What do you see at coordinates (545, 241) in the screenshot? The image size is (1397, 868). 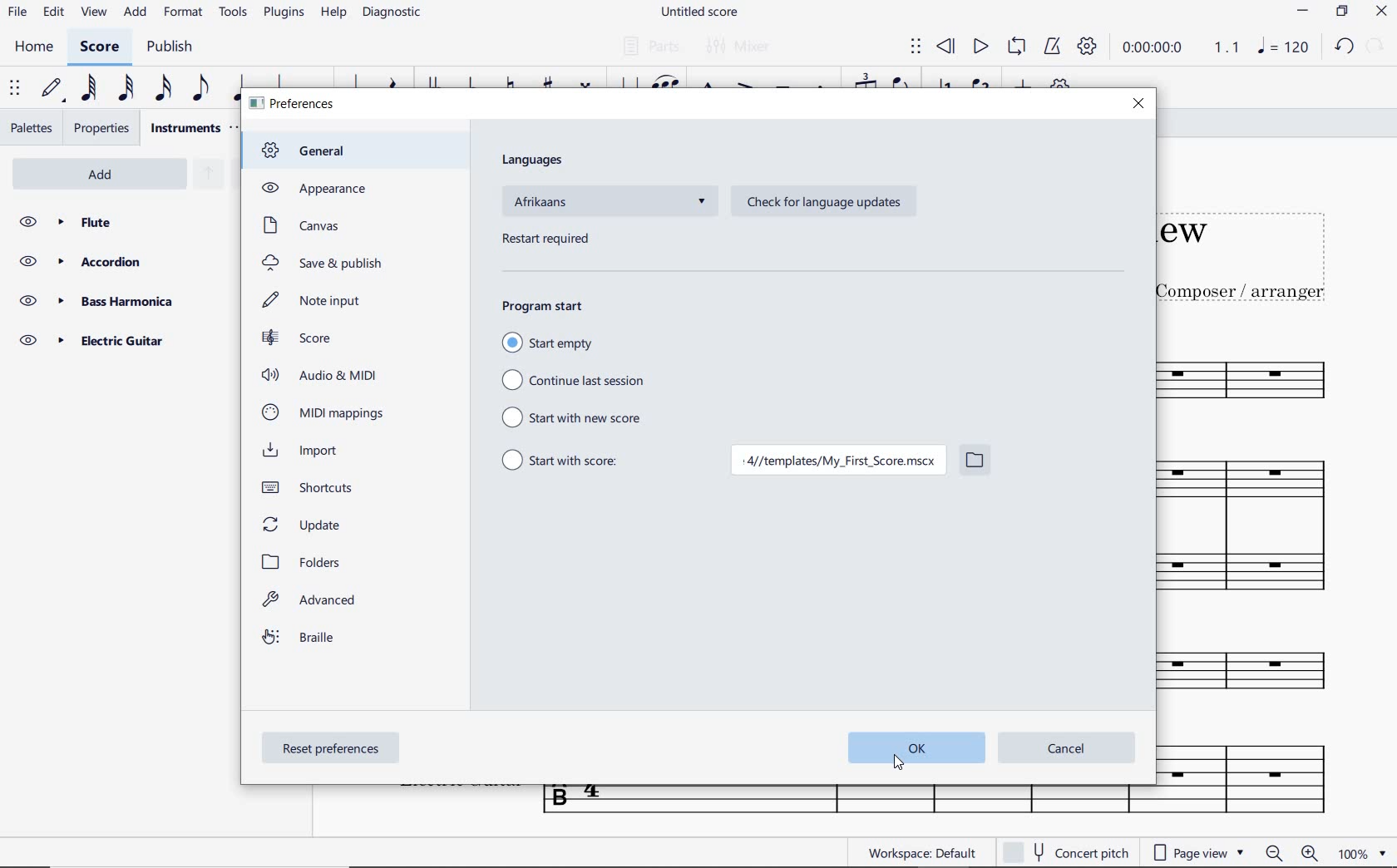 I see `restart required` at bounding box center [545, 241].